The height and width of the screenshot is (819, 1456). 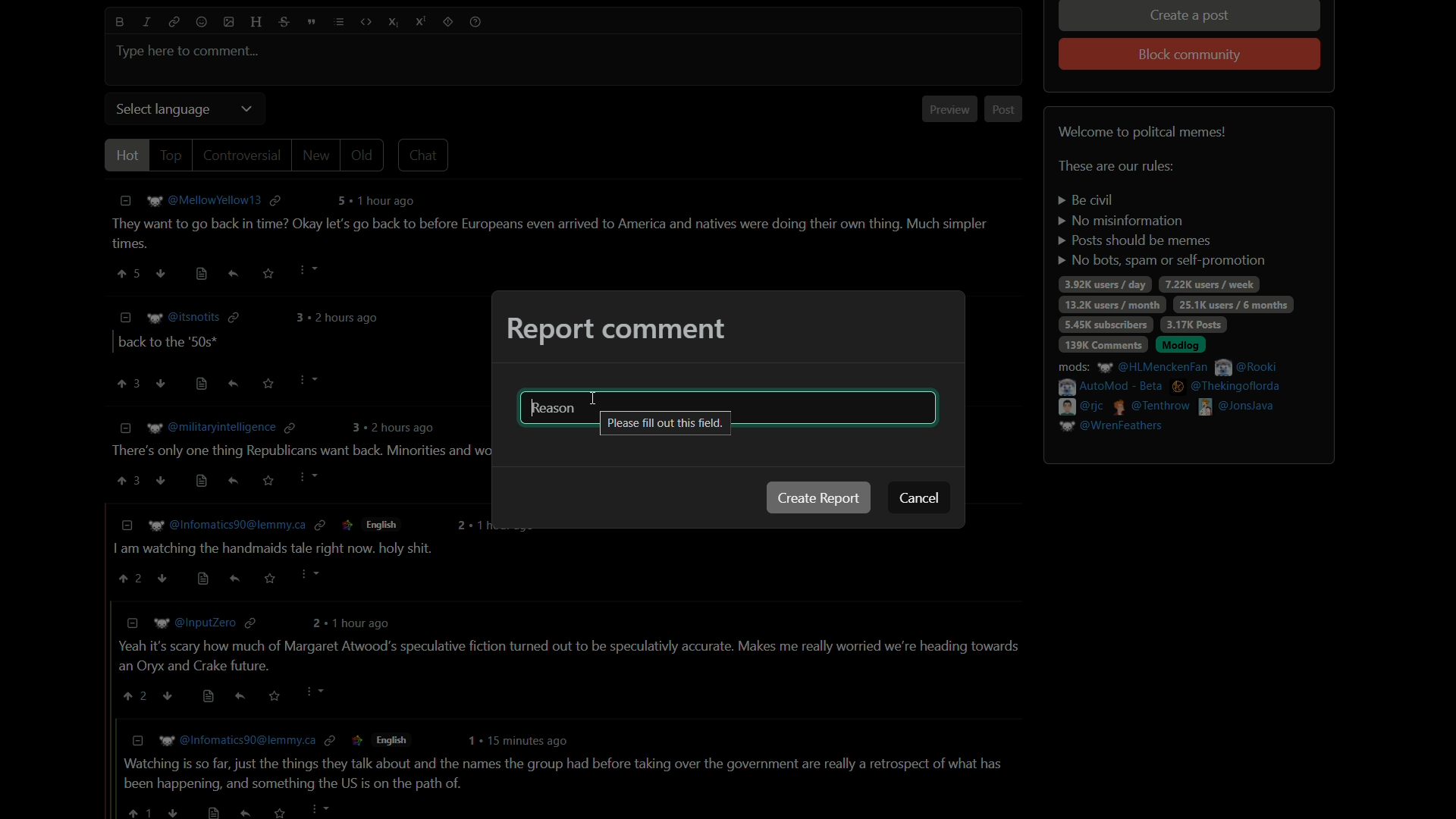 I want to click on dropdown, so click(x=246, y=109).